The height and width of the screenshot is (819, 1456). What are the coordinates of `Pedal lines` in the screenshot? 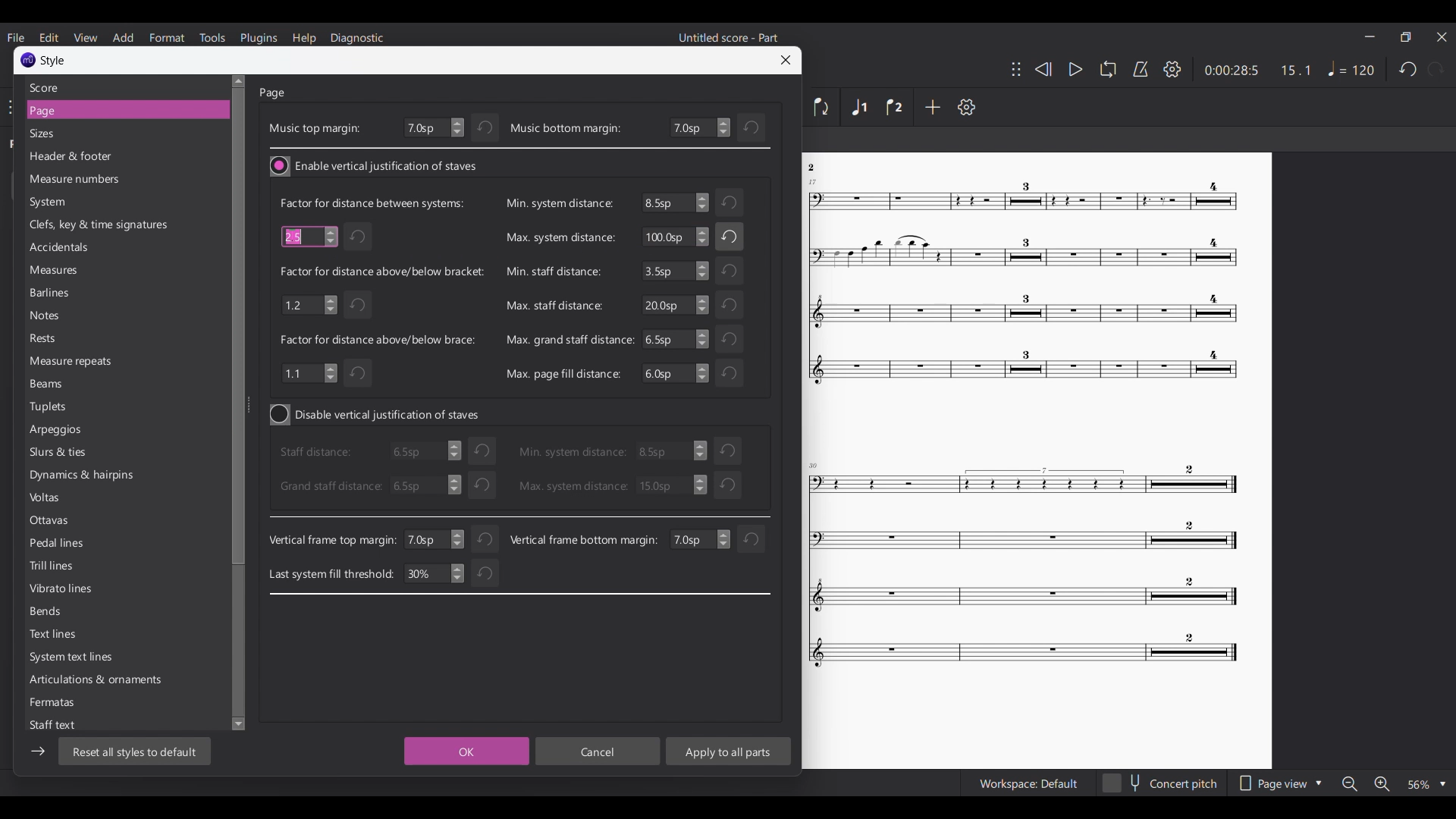 It's located at (80, 544).